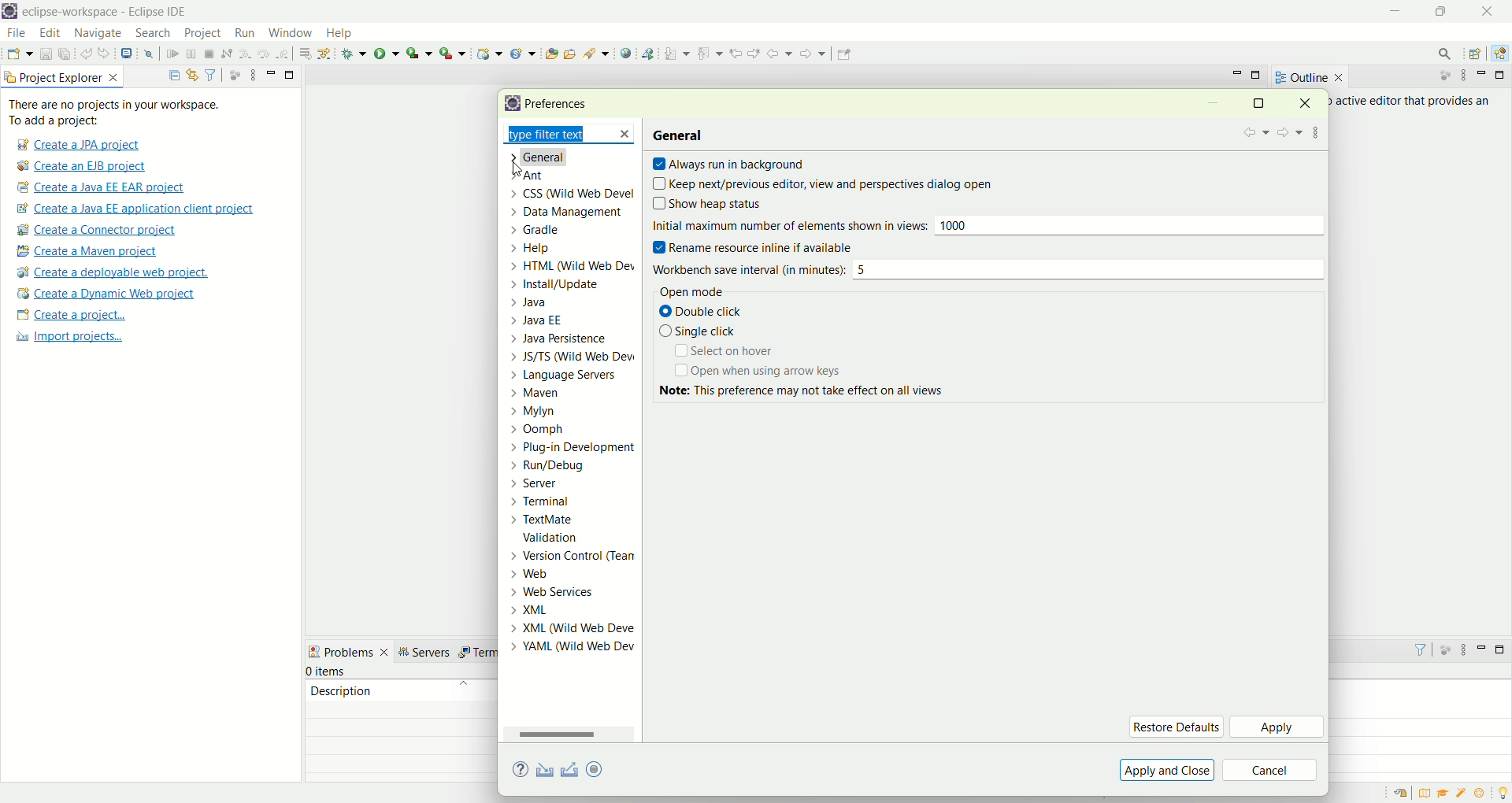 Image resolution: width=1512 pixels, height=803 pixels. I want to click on mylyn, so click(574, 410).